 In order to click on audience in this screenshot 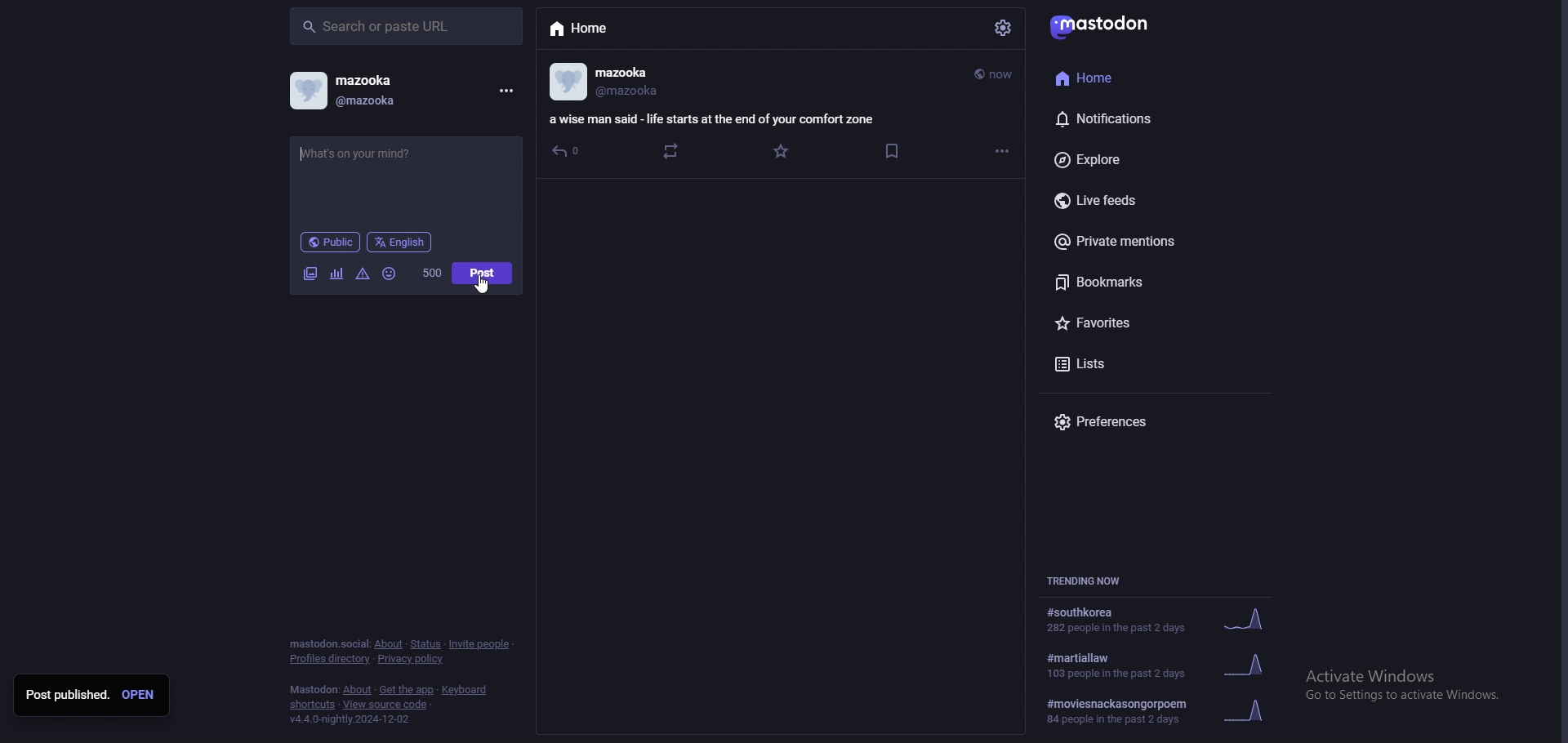, I will do `click(331, 242)`.